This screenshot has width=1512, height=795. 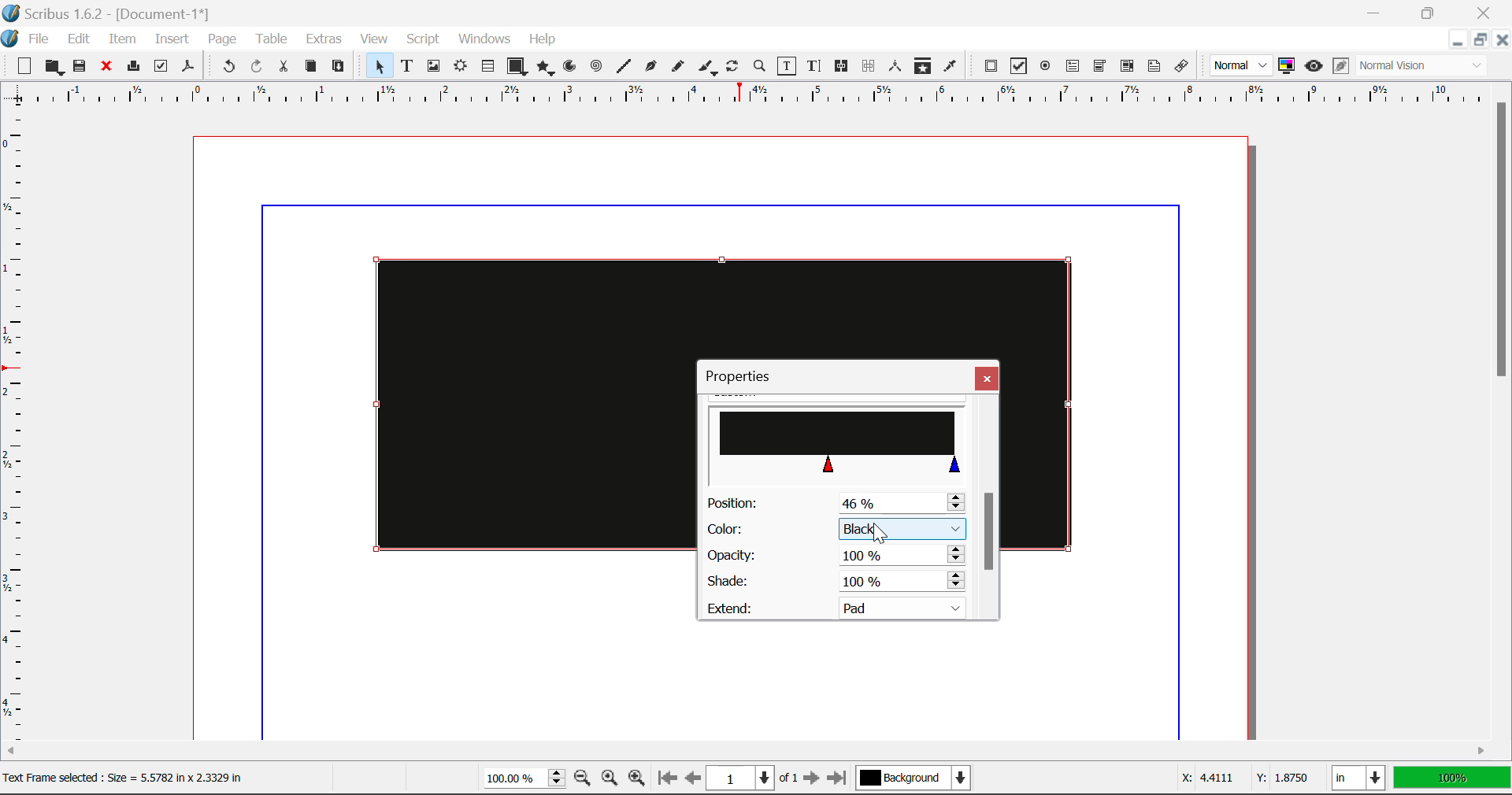 I want to click on View, so click(x=374, y=39).